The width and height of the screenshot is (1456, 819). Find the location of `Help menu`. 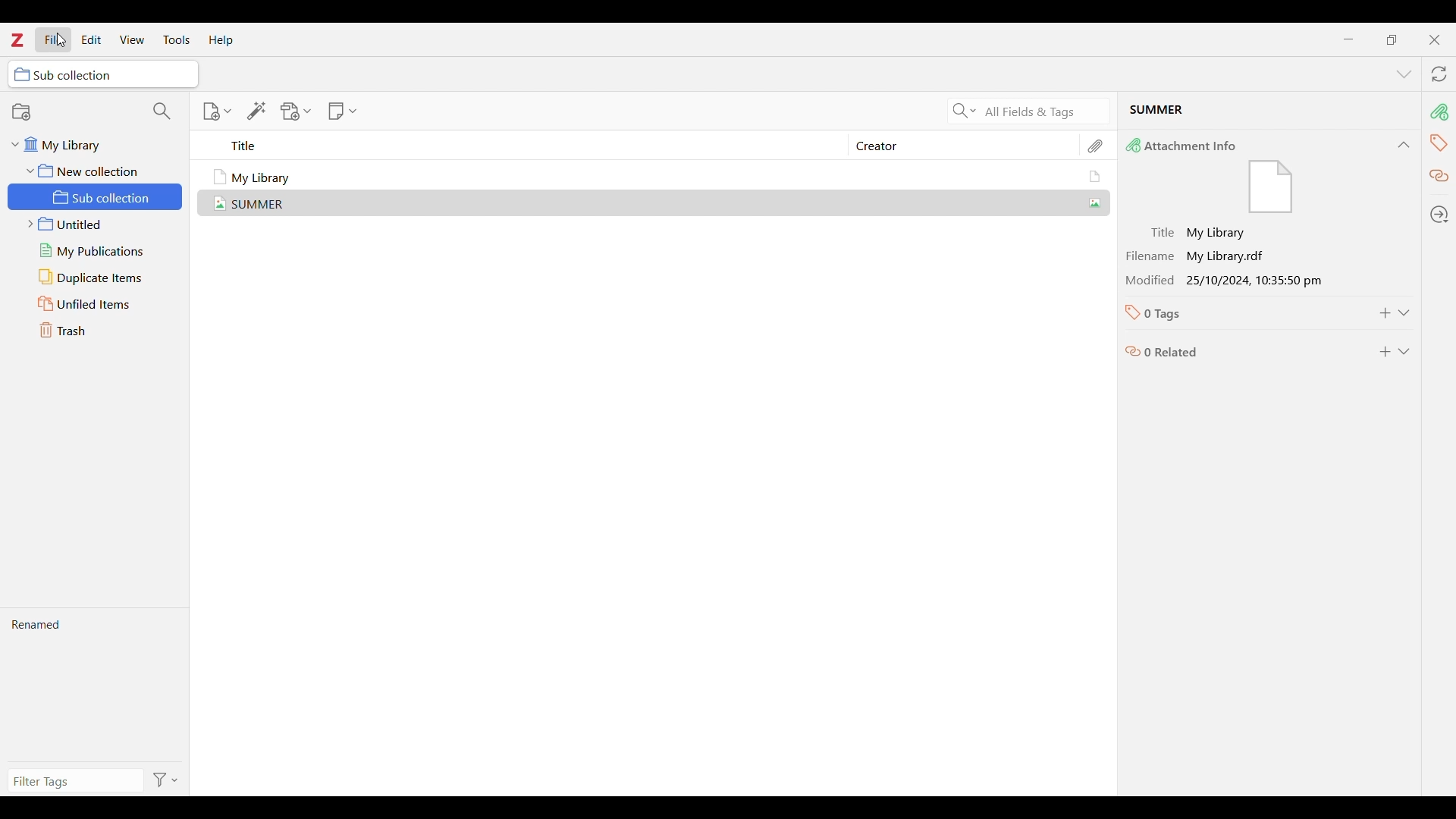

Help menu is located at coordinates (221, 40).